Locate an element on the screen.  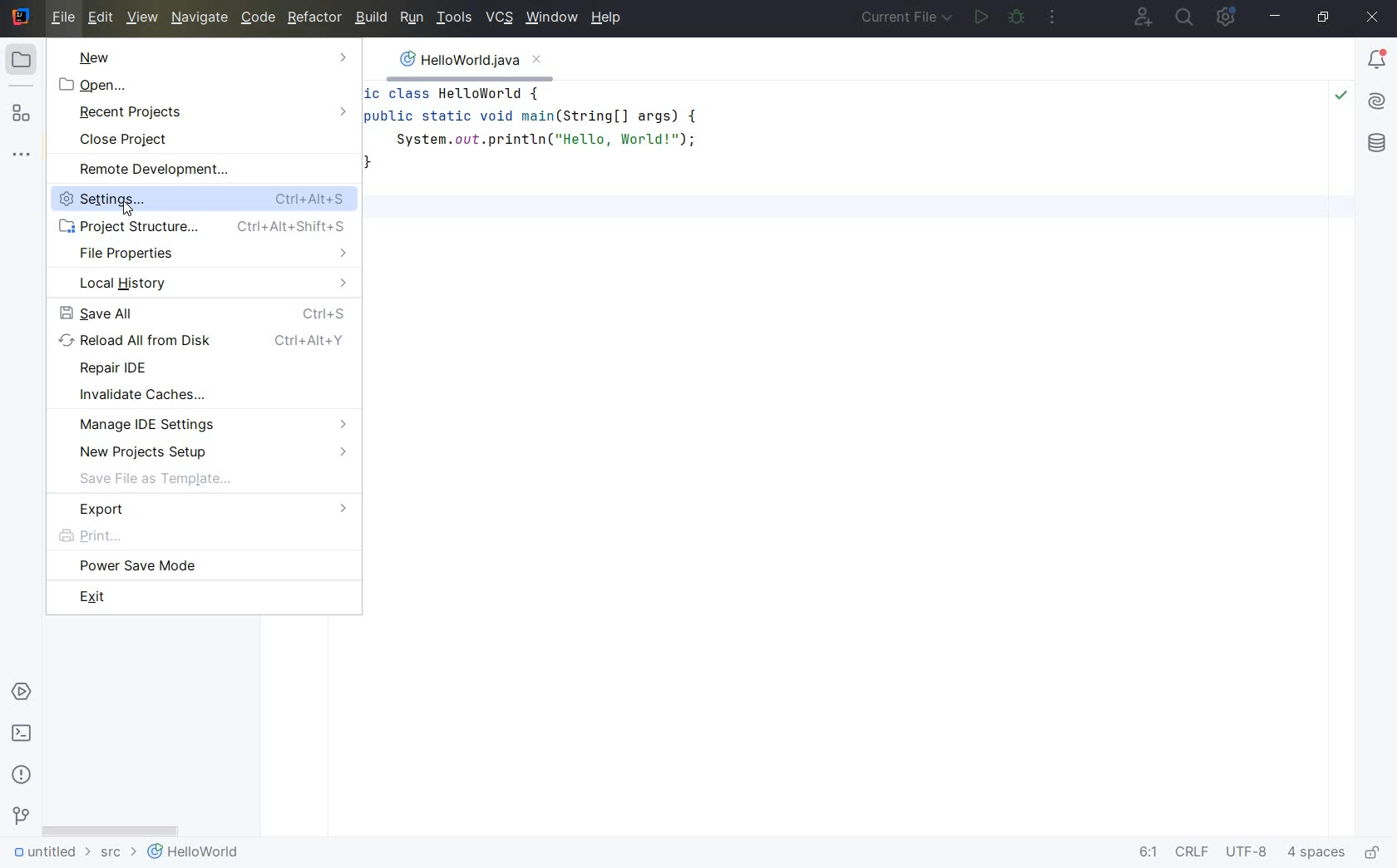
services is located at coordinates (21, 693).